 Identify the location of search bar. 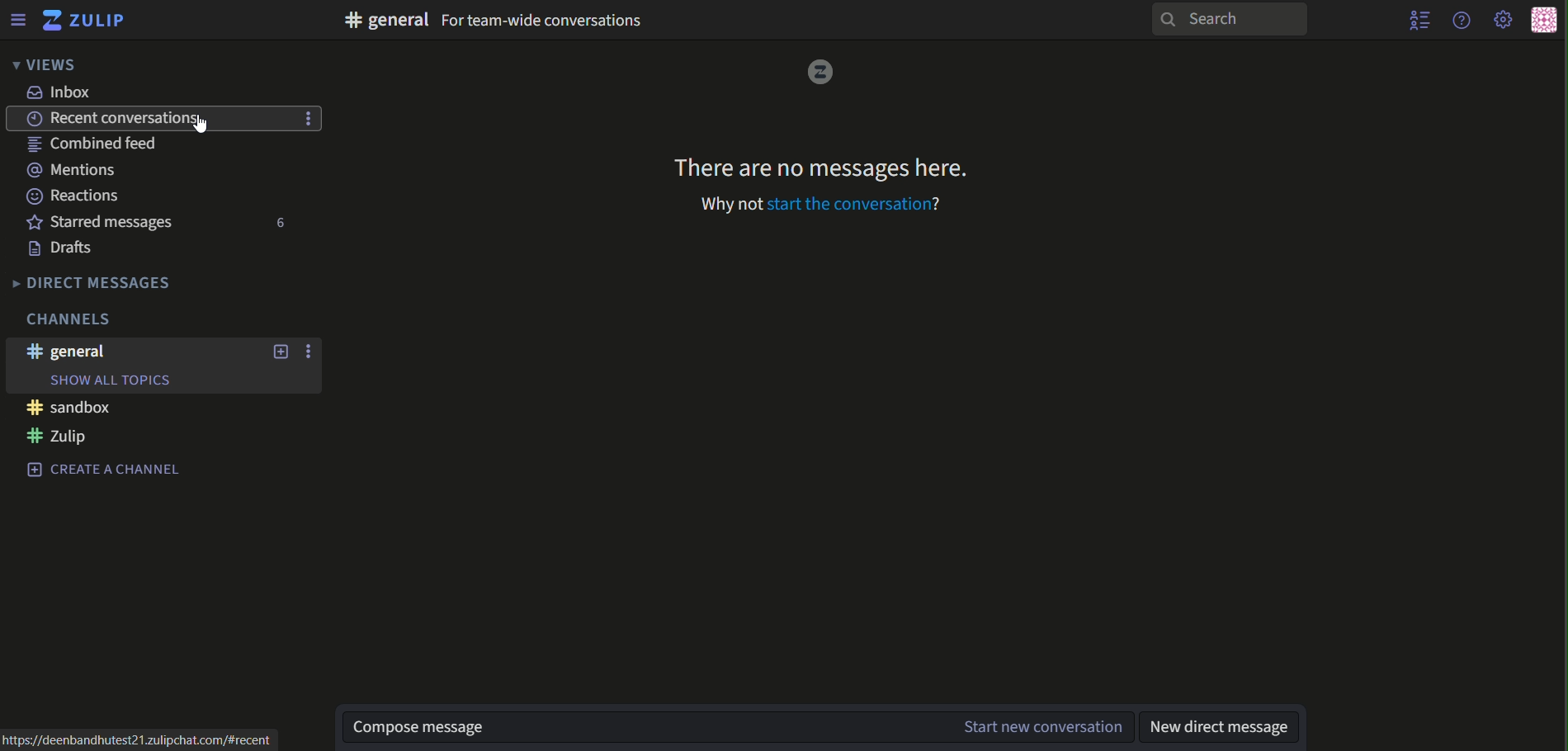
(1226, 19).